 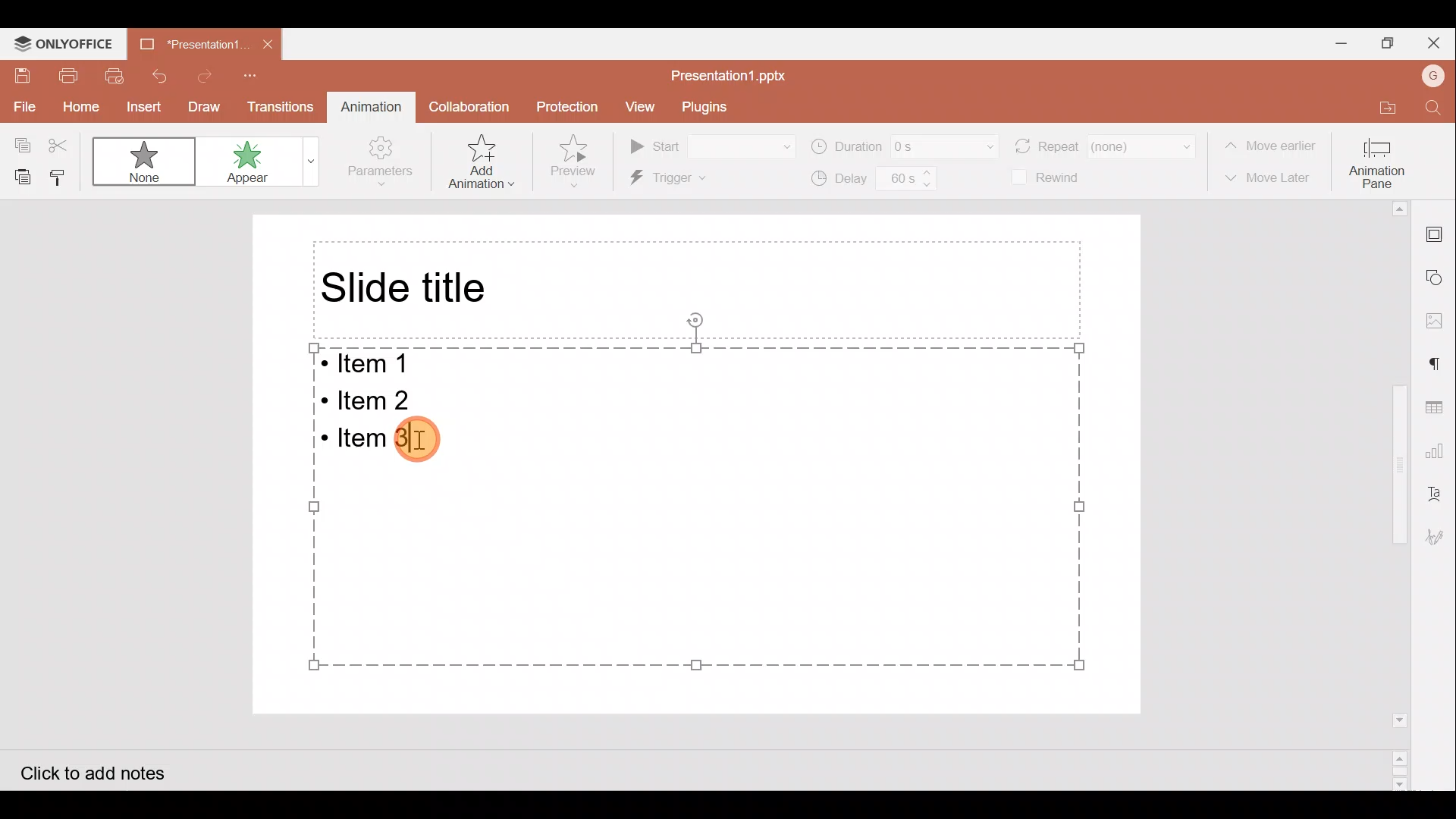 I want to click on Minimize, so click(x=1329, y=42).